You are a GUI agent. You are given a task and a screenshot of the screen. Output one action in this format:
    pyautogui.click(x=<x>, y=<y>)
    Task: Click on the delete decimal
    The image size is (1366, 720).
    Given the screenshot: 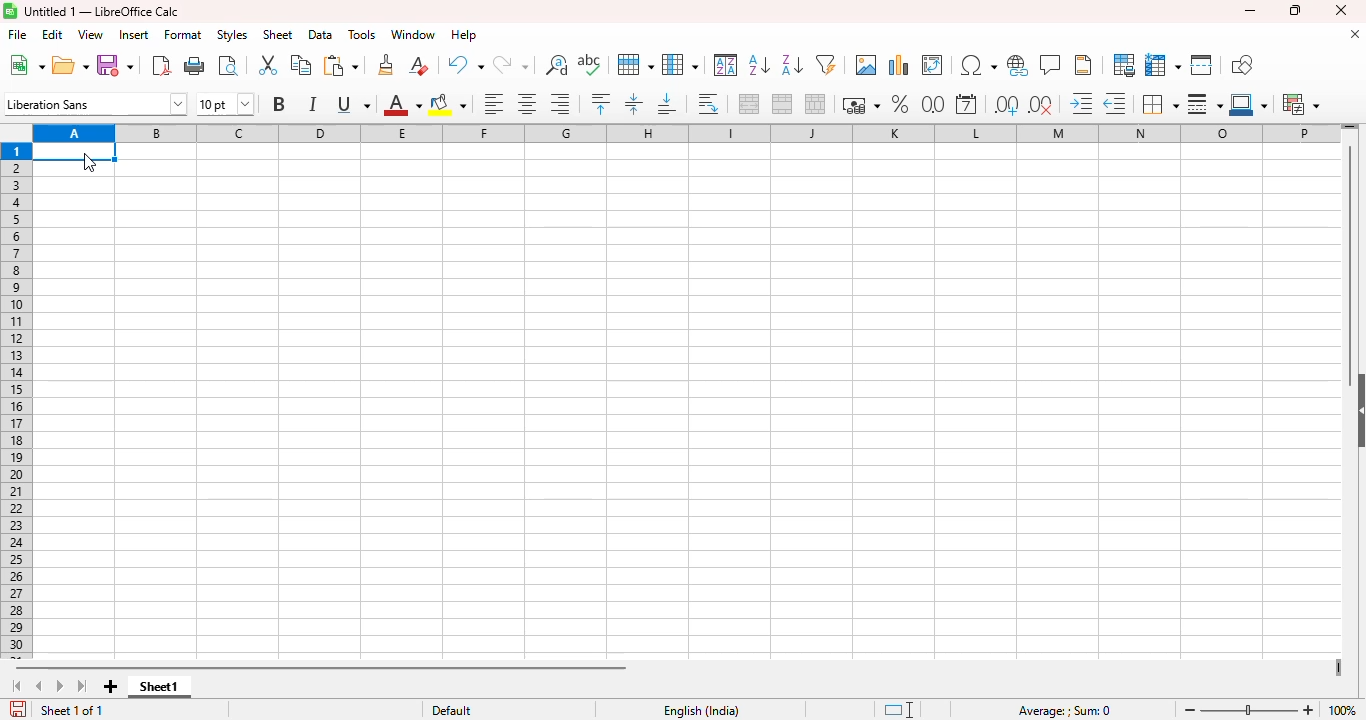 What is the action you would take?
    pyautogui.click(x=1042, y=105)
    